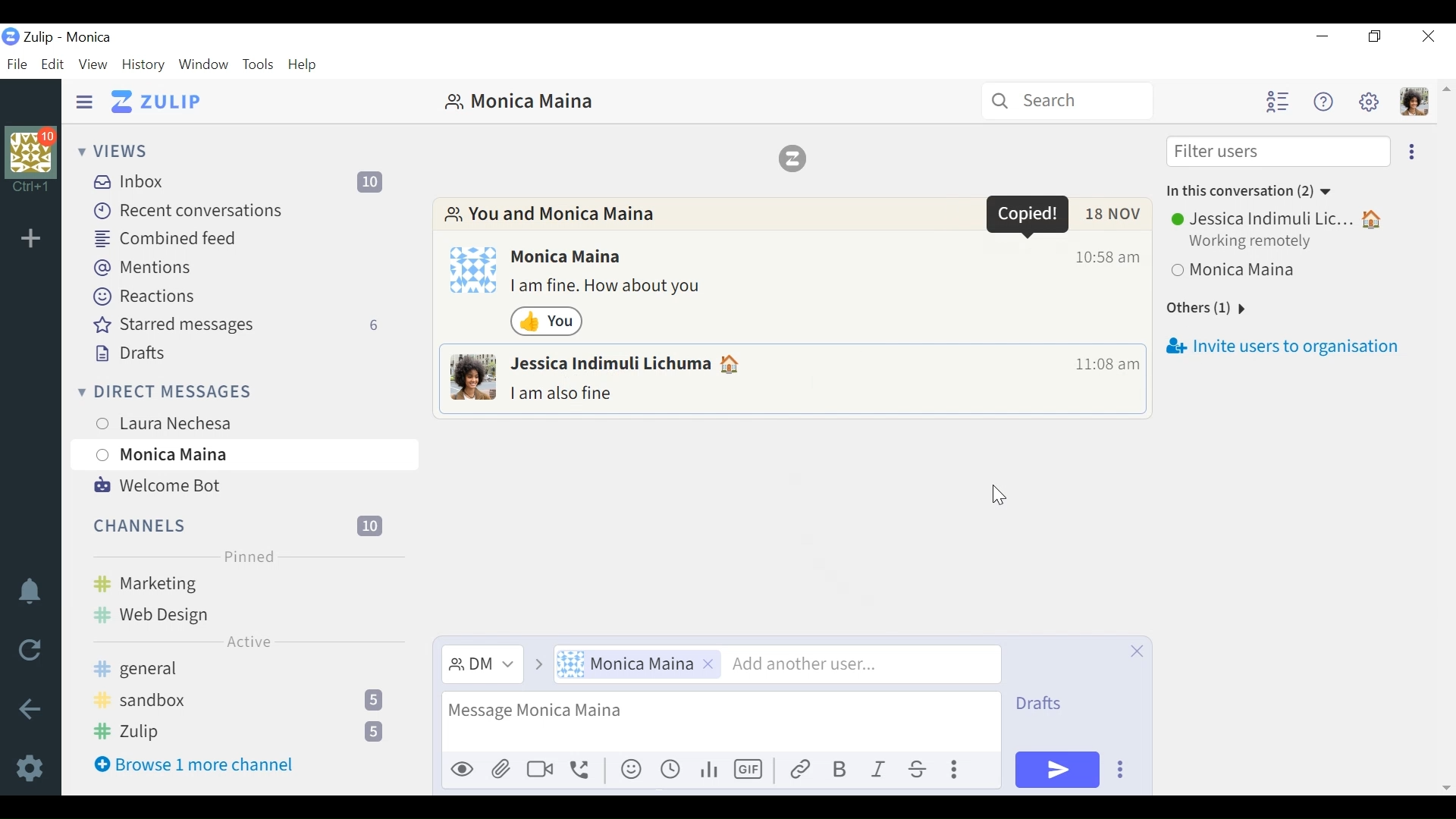 The image size is (1456, 819). I want to click on Monica Maina, so click(242, 454).